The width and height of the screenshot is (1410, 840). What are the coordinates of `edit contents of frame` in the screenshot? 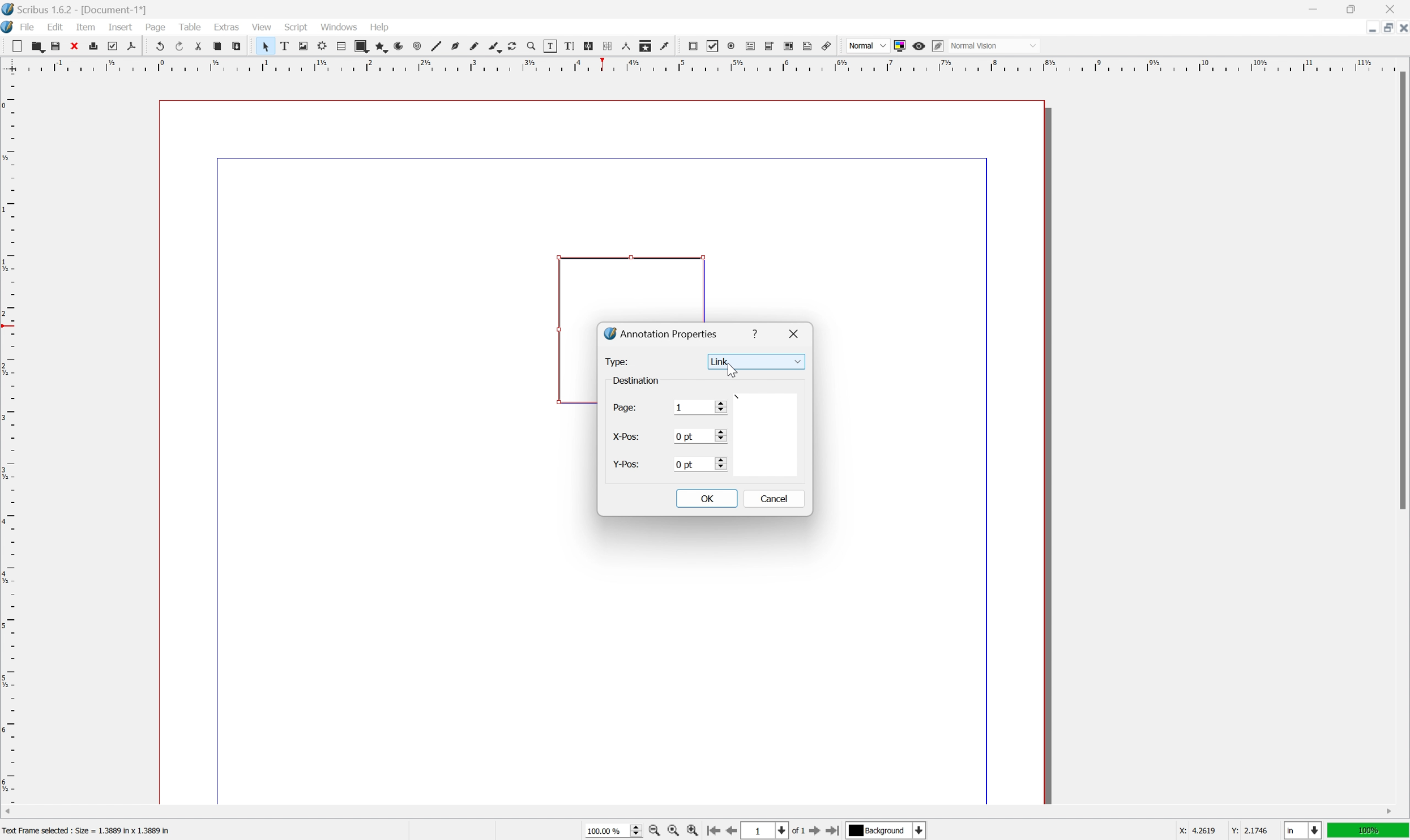 It's located at (550, 46).